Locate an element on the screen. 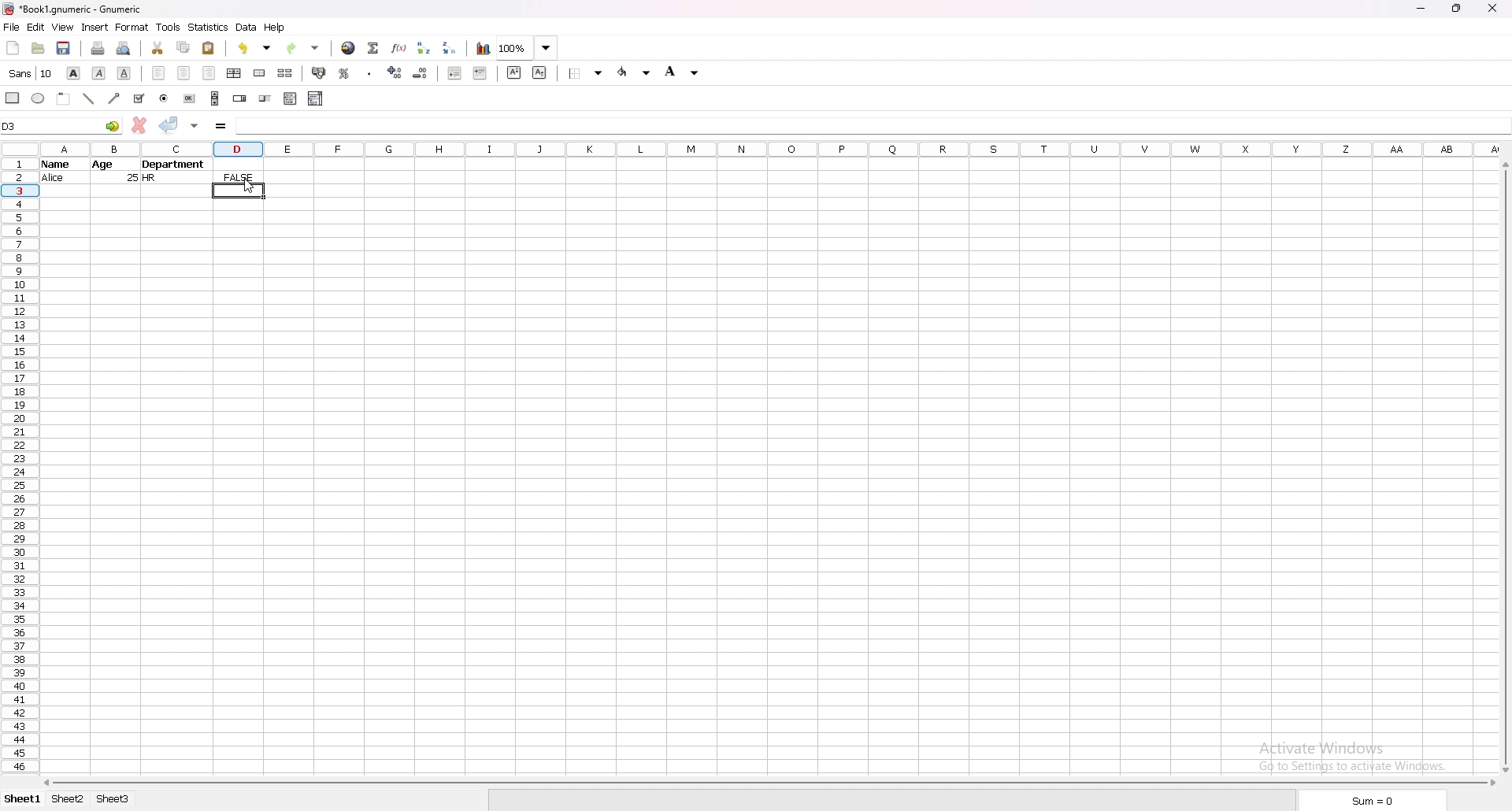  left align is located at coordinates (158, 73).